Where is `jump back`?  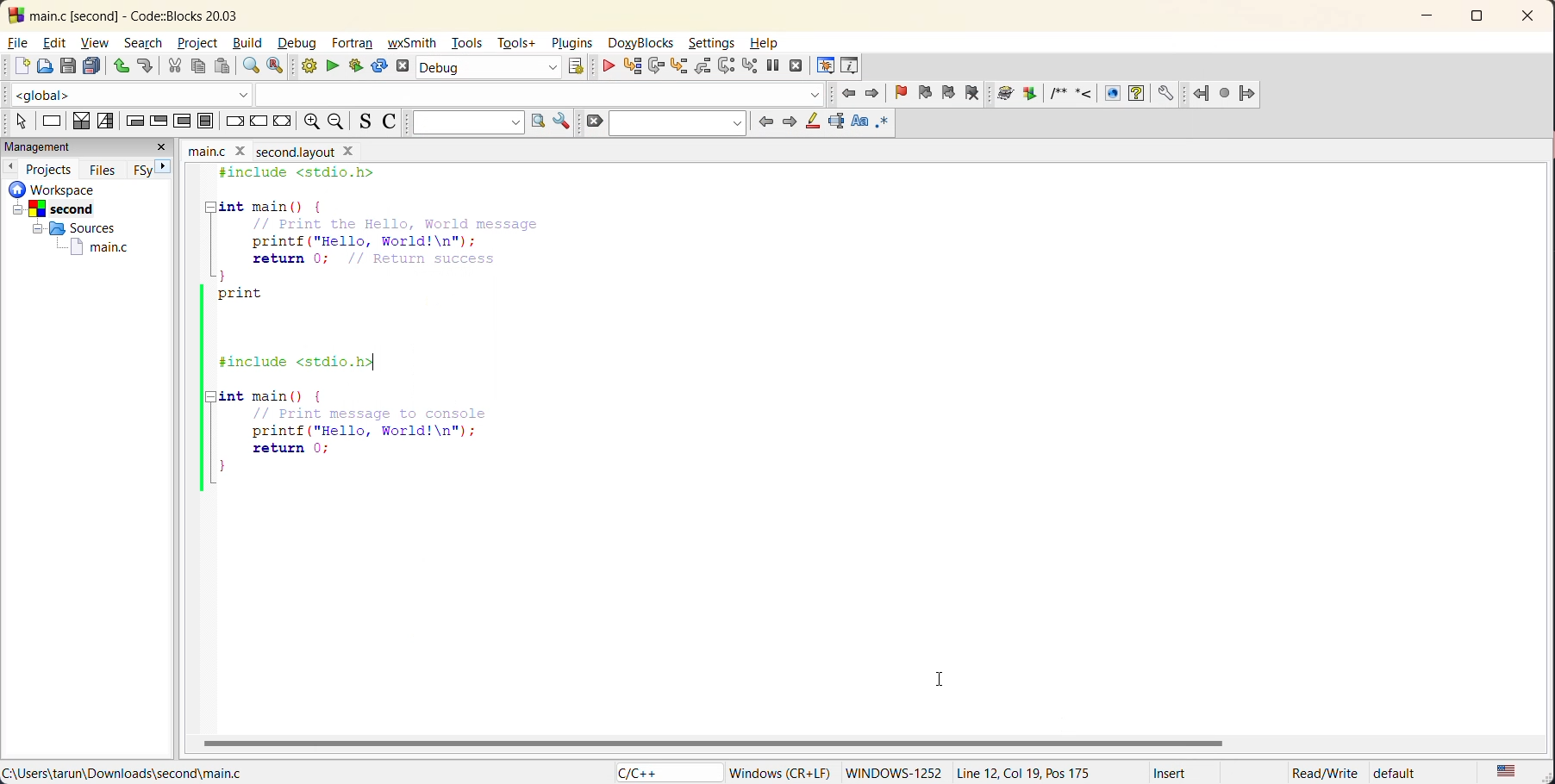 jump back is located at coordinates (848, 95).